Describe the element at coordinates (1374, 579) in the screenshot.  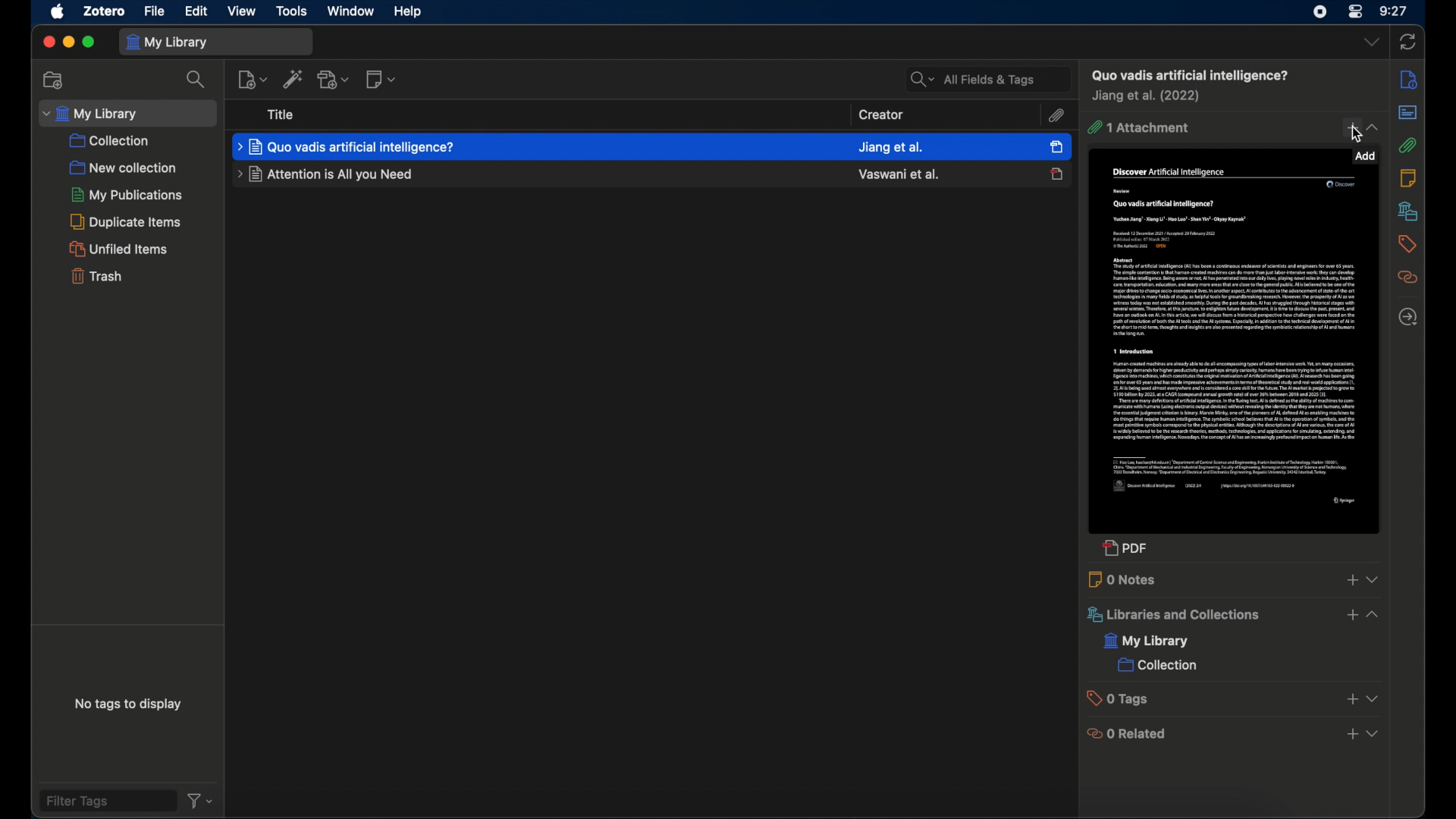
I see `dropdown menu` at that location.